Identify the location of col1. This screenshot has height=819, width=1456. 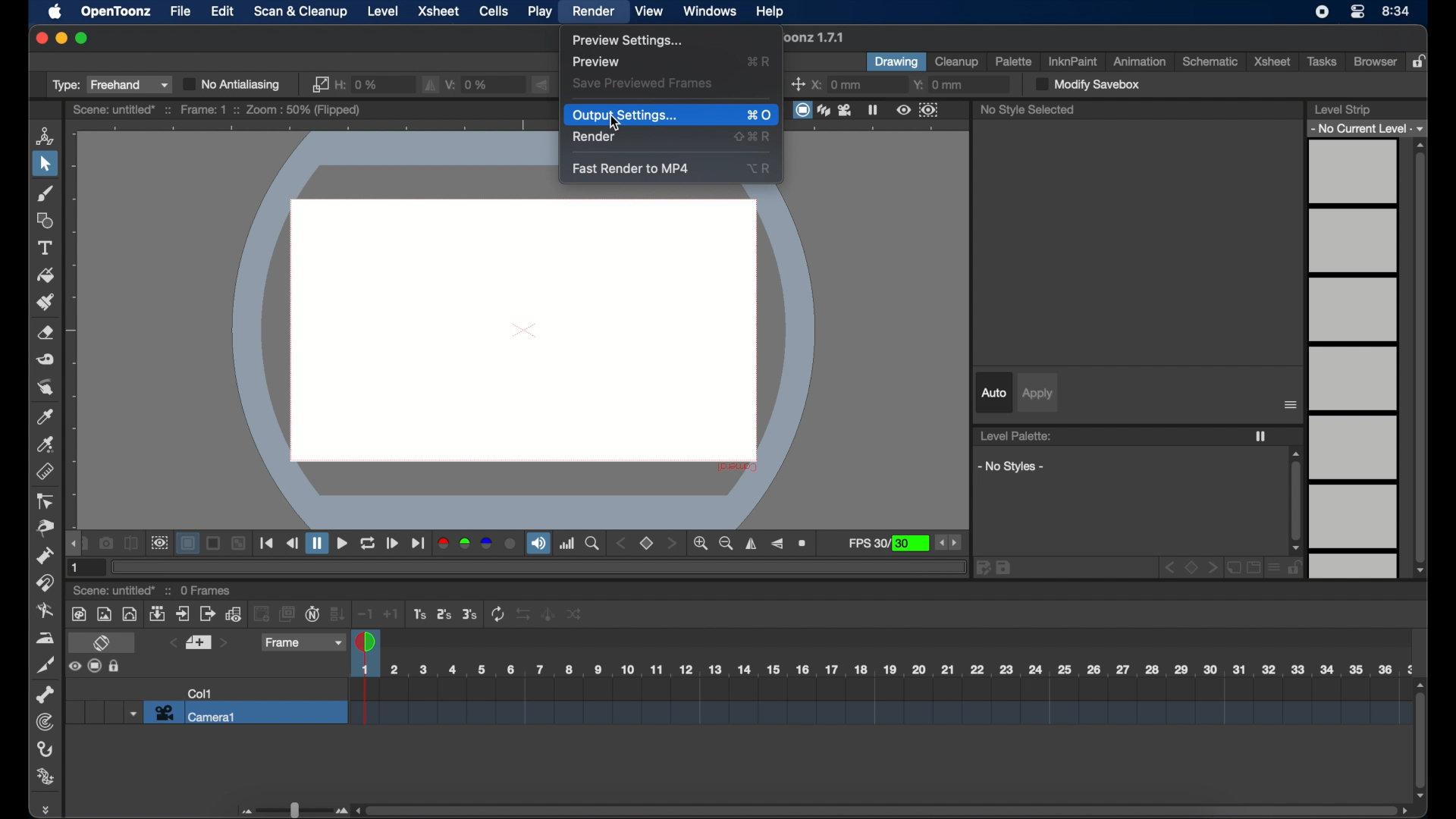
(200, 693).